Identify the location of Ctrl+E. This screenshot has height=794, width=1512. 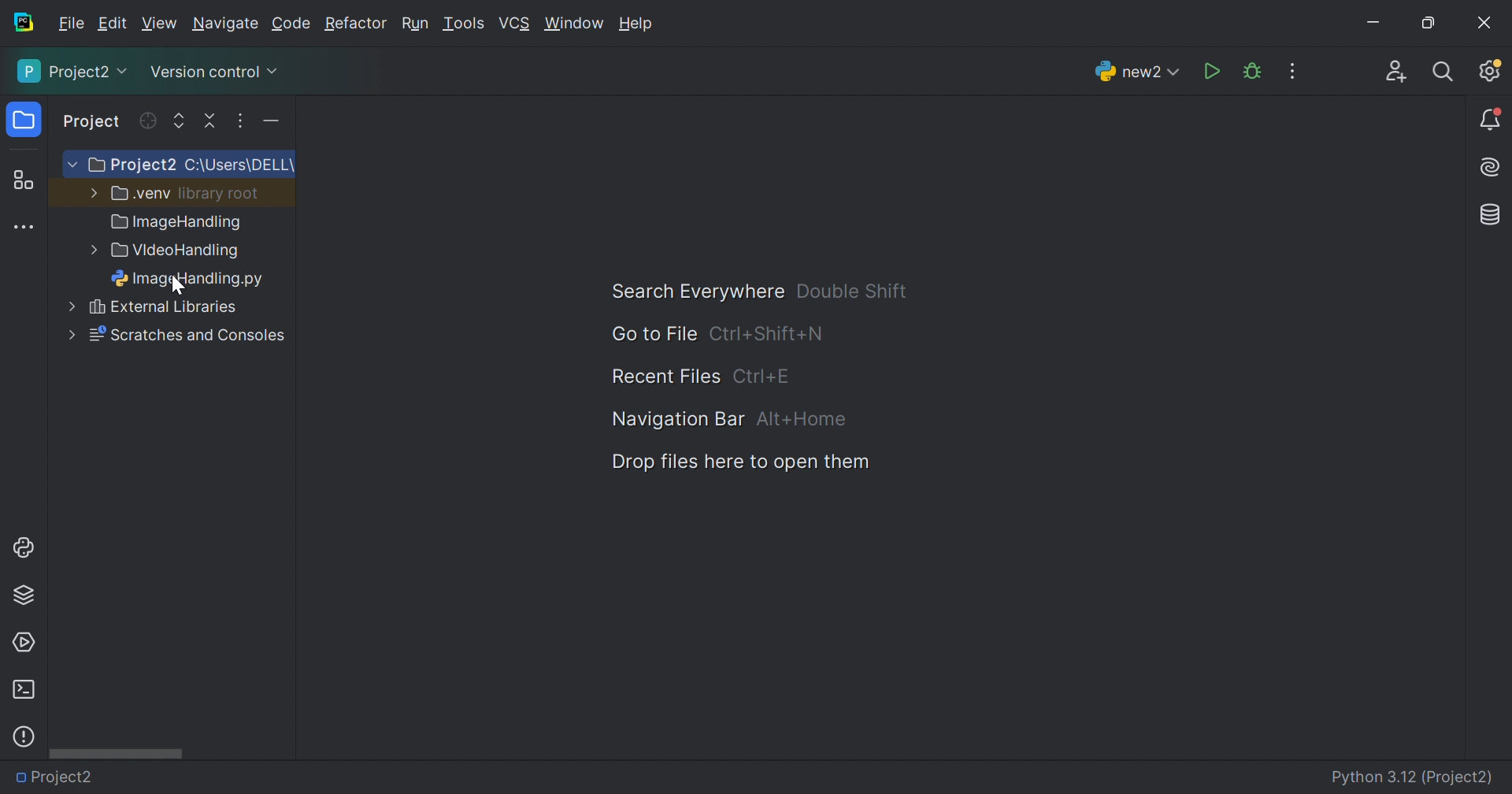
(762, 376).